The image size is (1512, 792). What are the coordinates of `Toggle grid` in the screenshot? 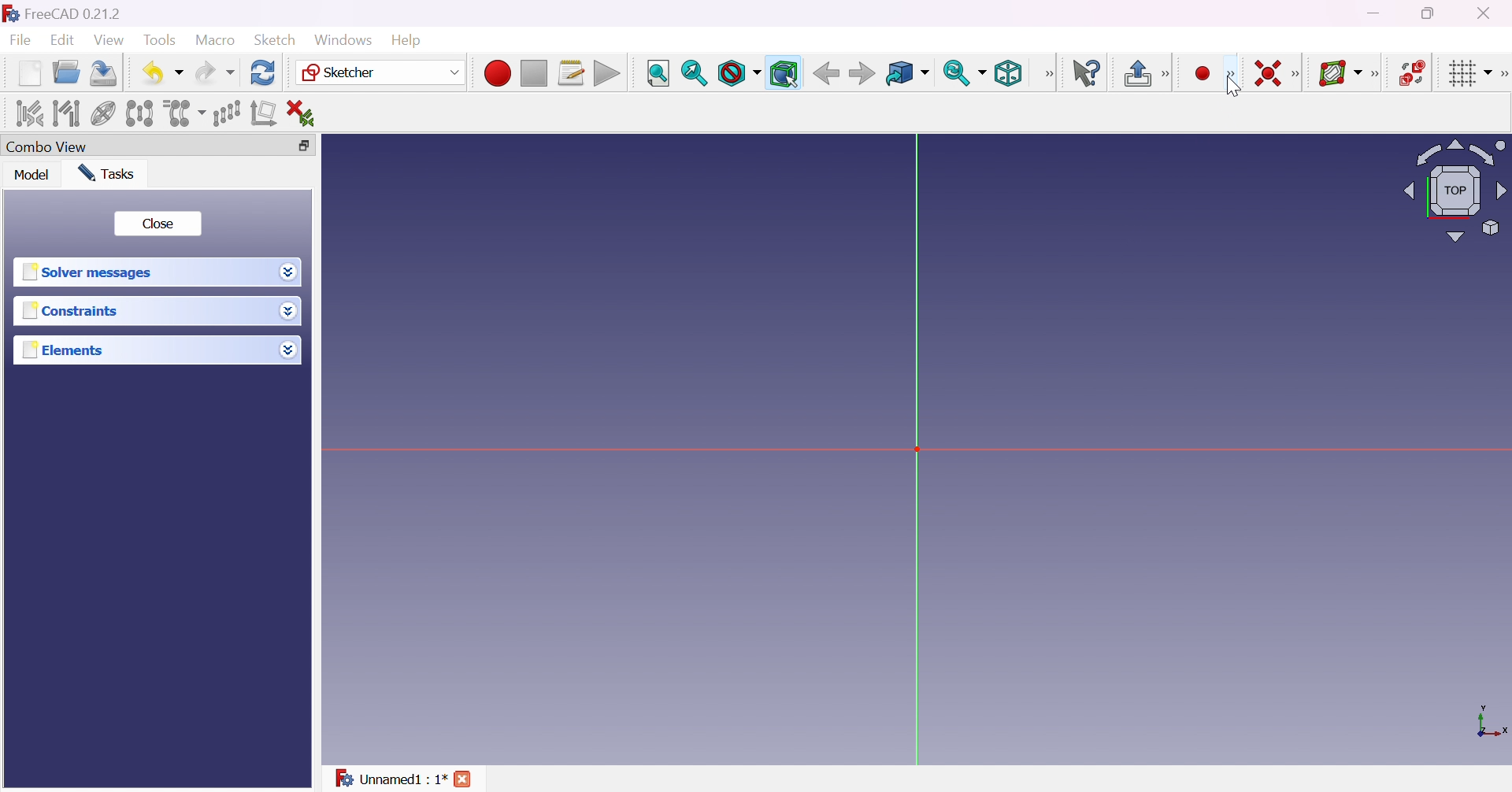 It's located at (1468, 72).